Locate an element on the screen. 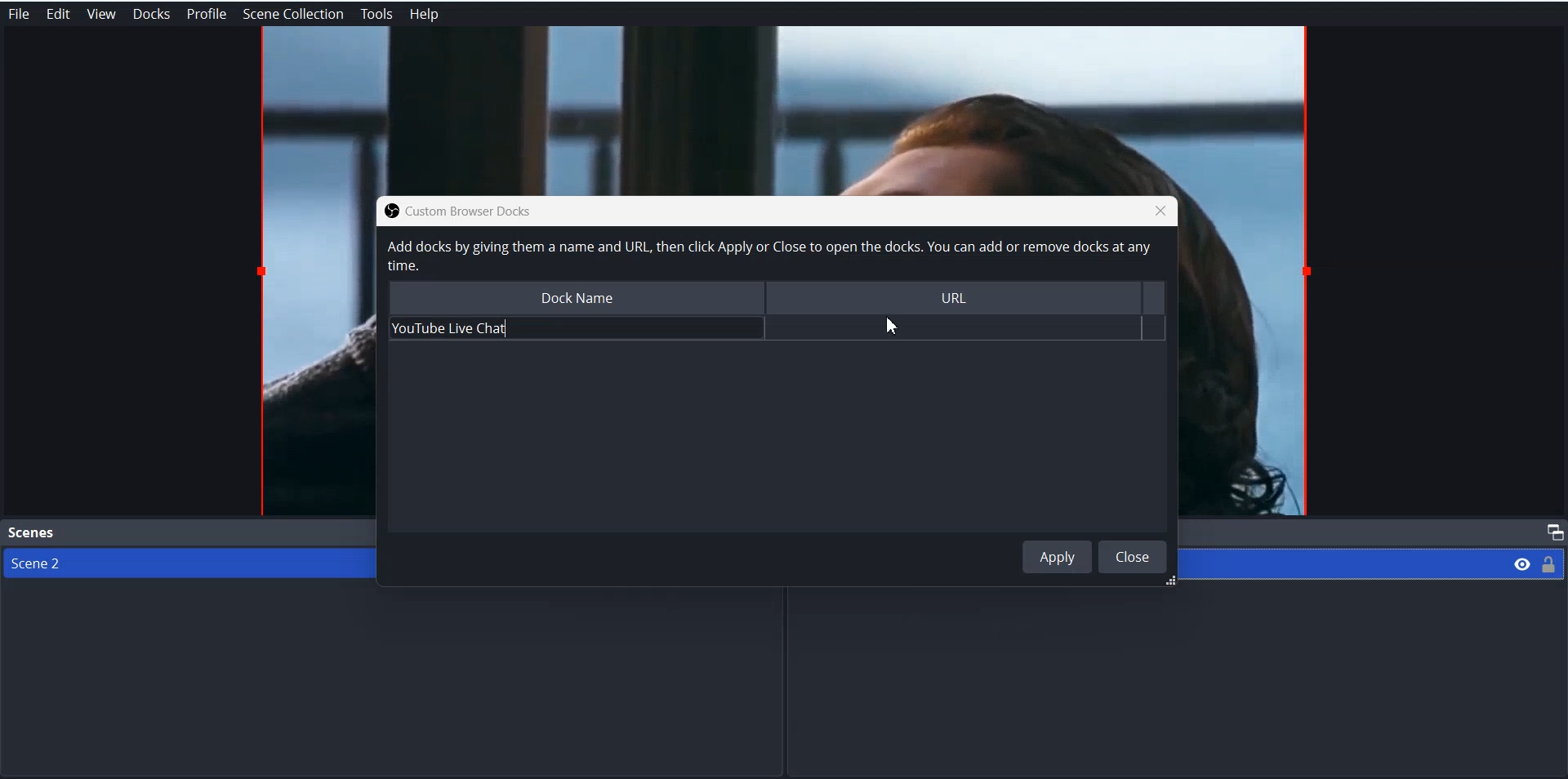  Dock Name is located at coordinates (574, 296).